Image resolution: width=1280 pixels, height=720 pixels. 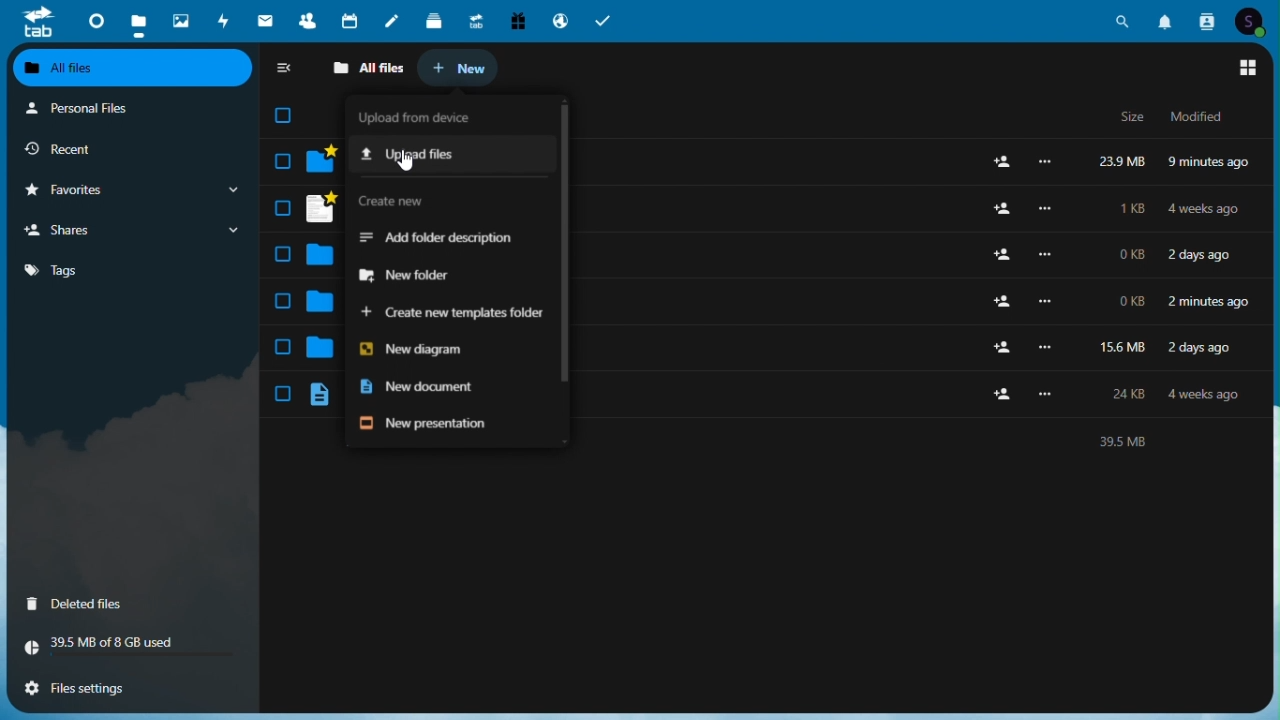 I want to click on cursor, so click(x=407, y=163).